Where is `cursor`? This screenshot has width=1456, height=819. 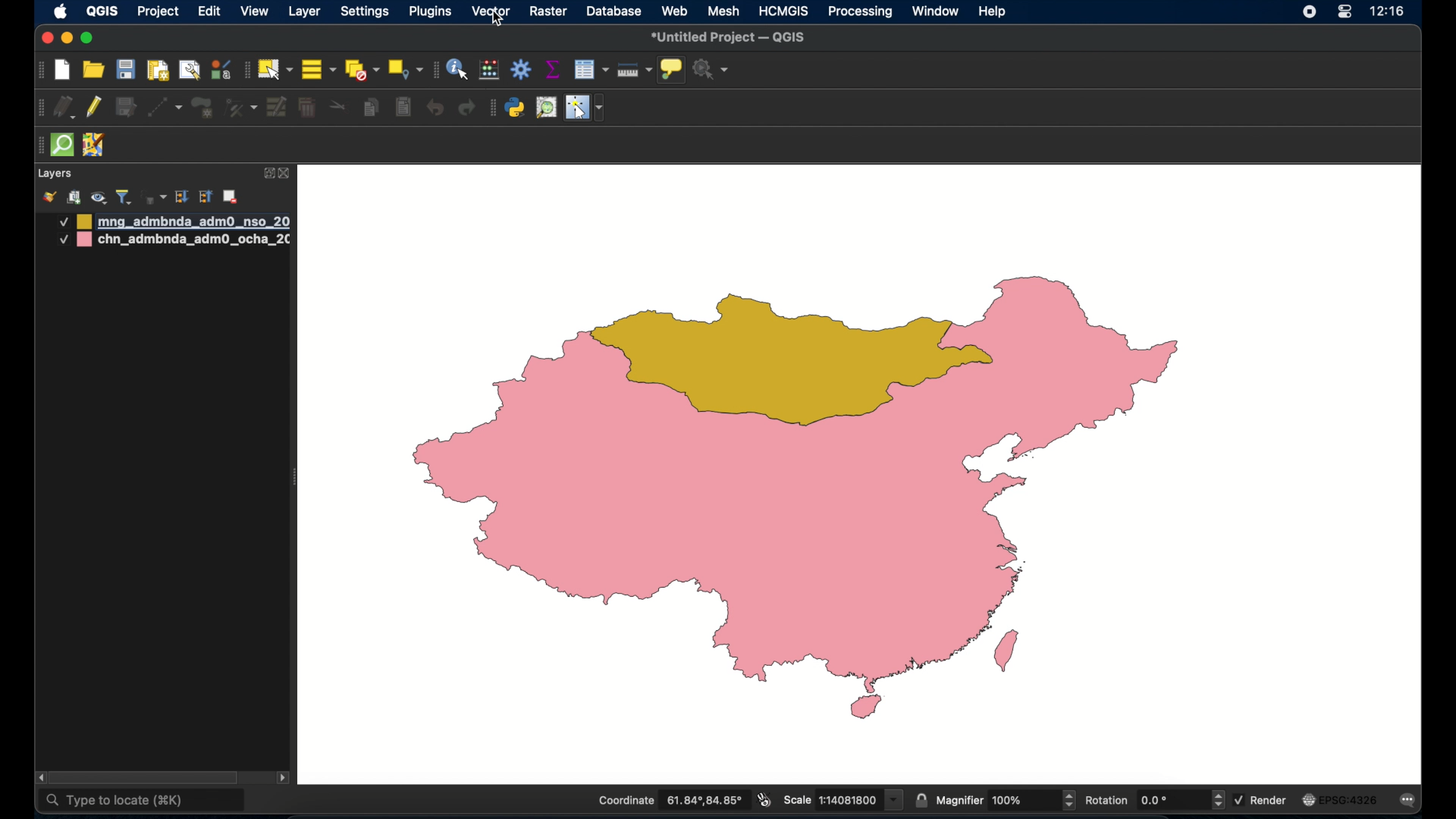 cursor is located at coordinates (499, 24).